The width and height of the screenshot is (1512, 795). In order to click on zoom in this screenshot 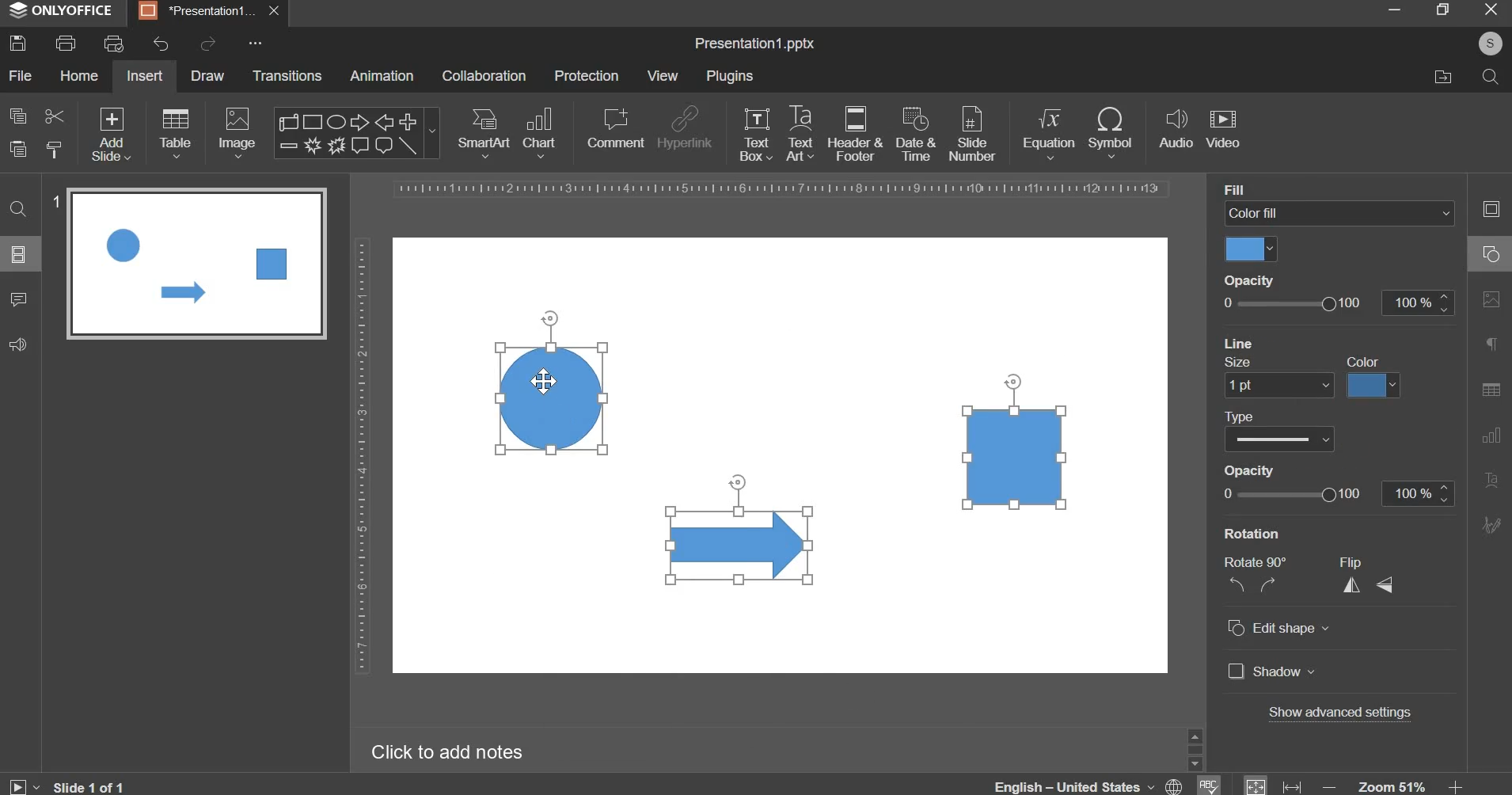, I will do `click(1393, 785)`.